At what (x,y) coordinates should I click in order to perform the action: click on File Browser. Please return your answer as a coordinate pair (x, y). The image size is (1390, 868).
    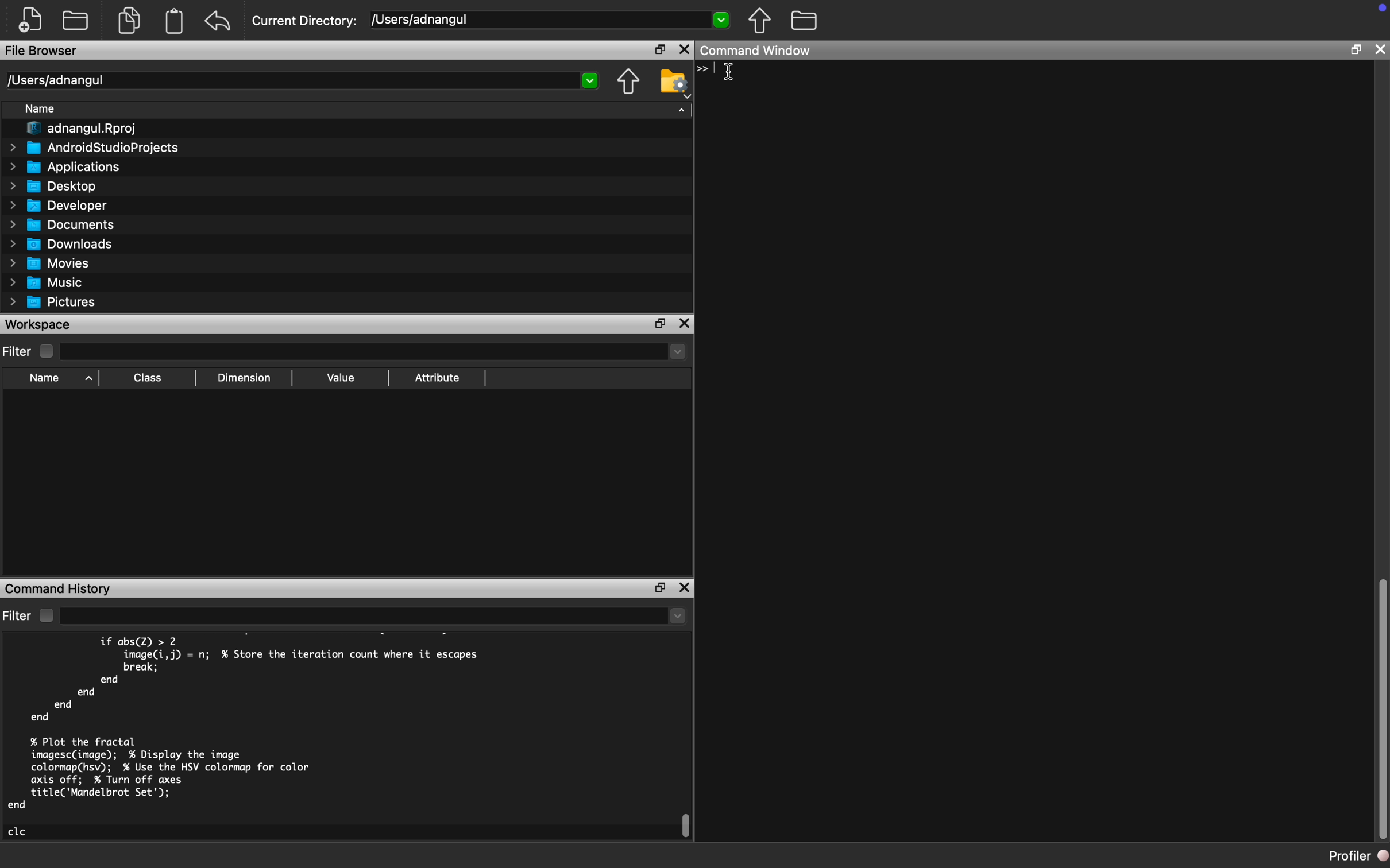
    Looking at the image, I should click on (41, 52).